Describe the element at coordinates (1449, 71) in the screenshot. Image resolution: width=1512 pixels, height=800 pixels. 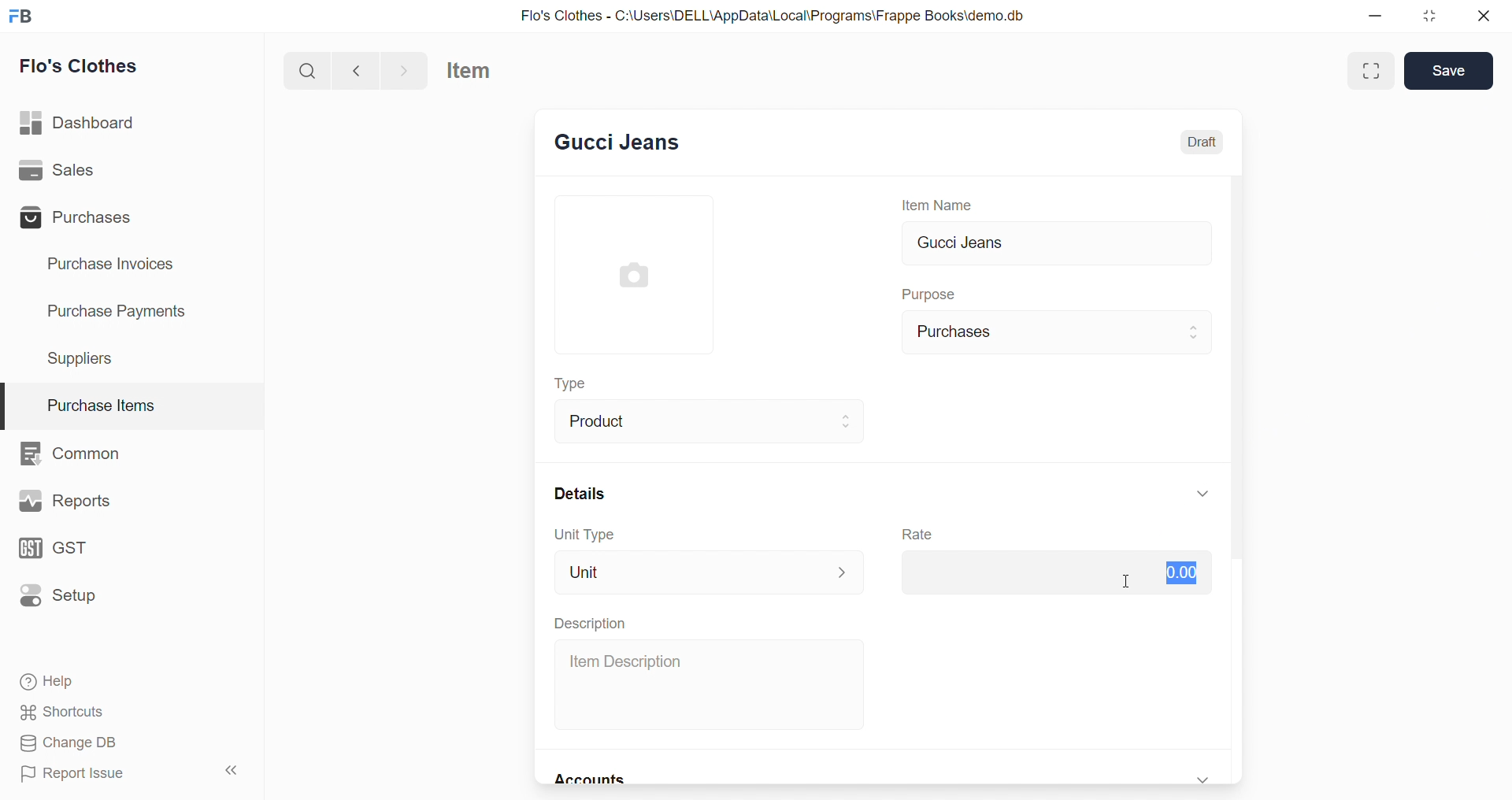
I see `Save` at that location.